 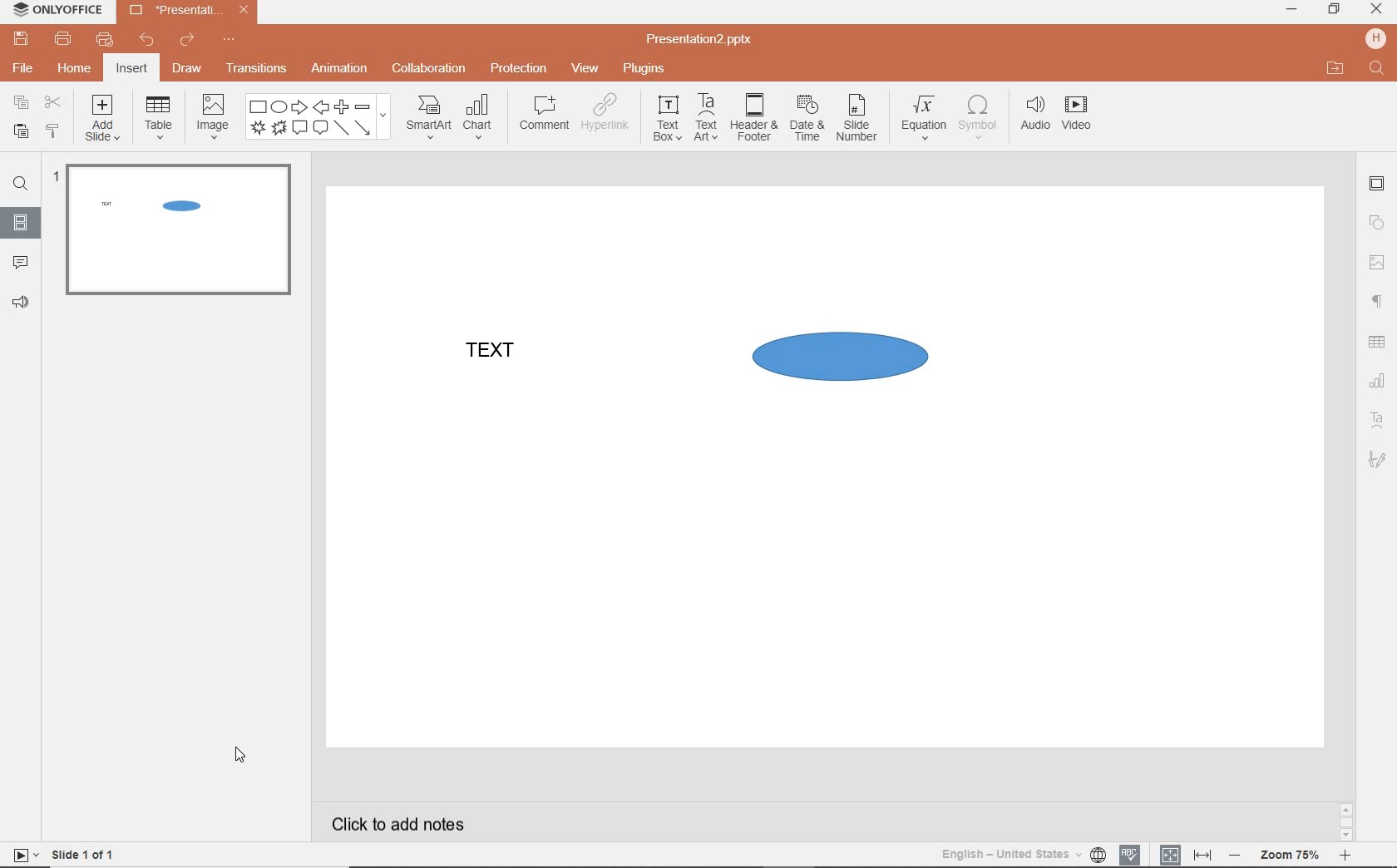 What do you see at coordinates (643, 70) in the screenshot?
I see `plugins` at bounding box center [643, 70].